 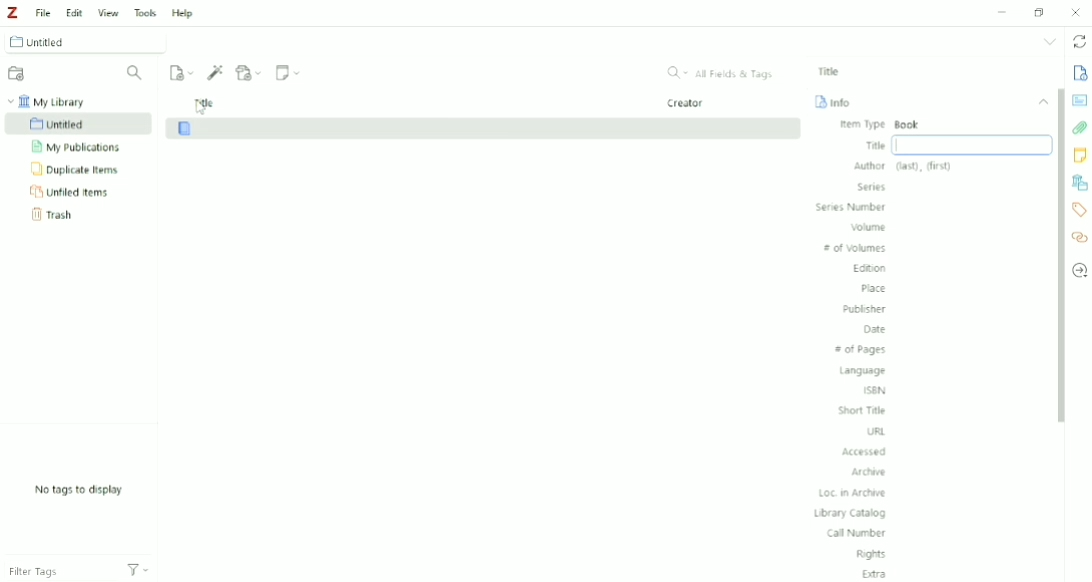 What do you see at coordinates (687, 104) in the screenshot?
I see `Creator` at bounding box center [687, 104].